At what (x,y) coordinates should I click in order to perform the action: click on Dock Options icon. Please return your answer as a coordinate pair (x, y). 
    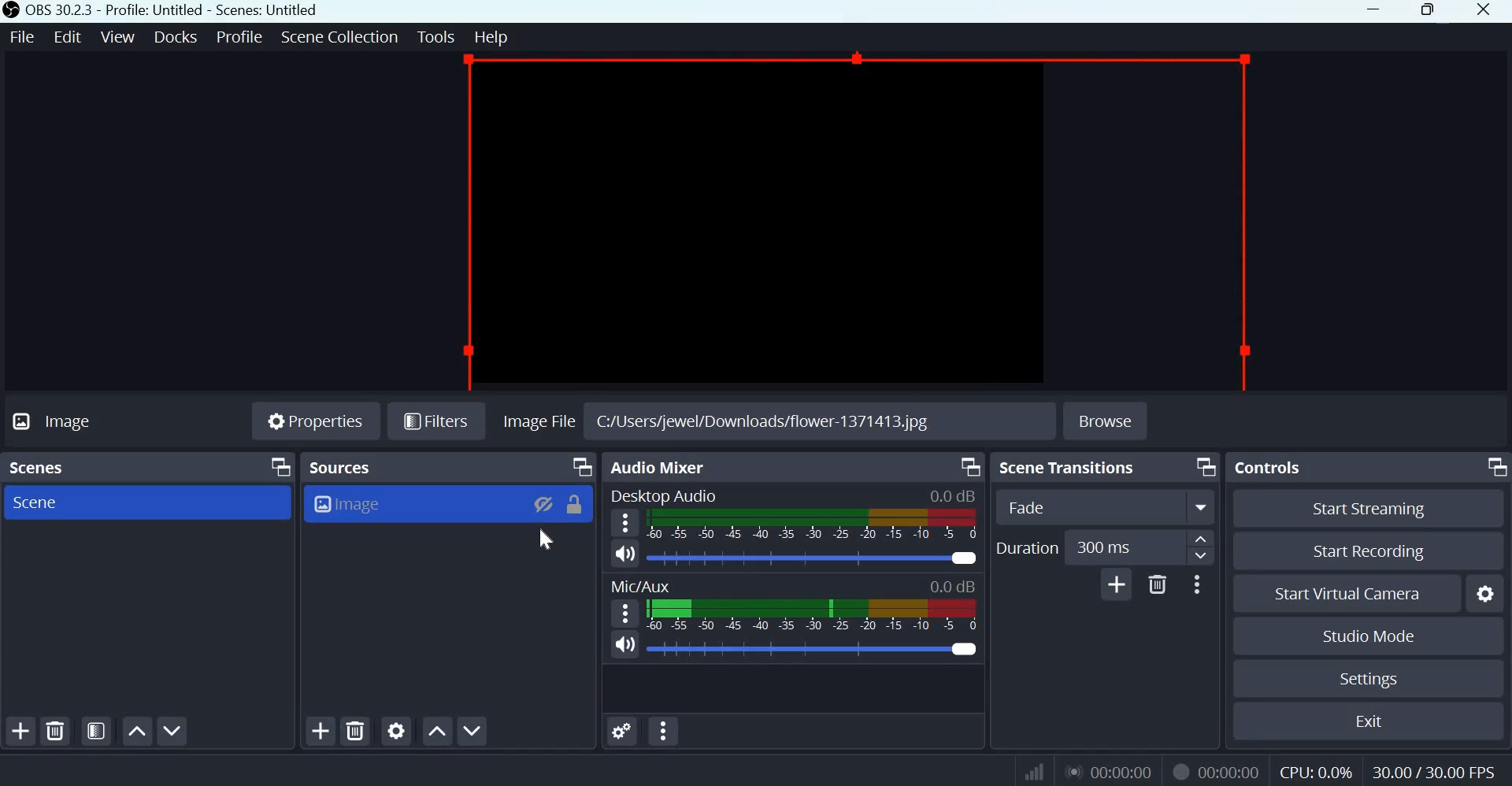
    Looking at the image, I should click on (970, 468).